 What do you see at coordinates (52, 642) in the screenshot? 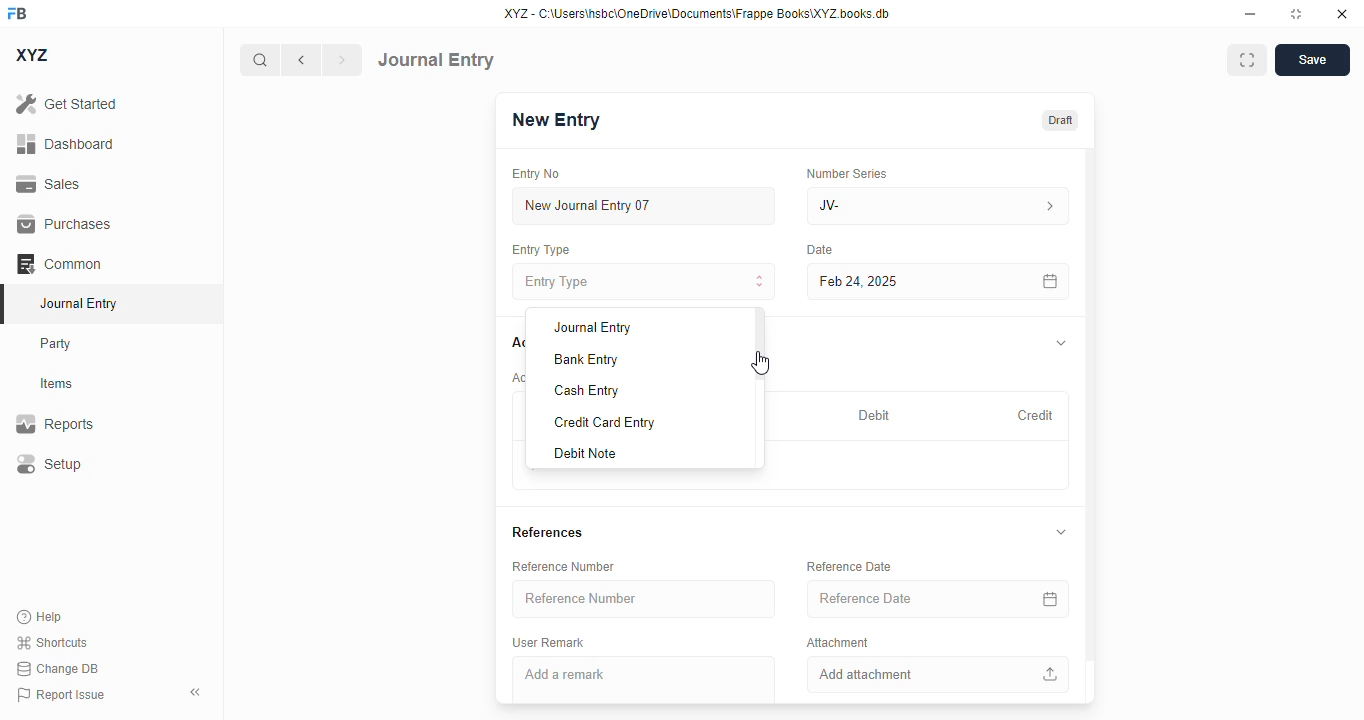
I see `shortcuts` at bounding box center [52, 642].